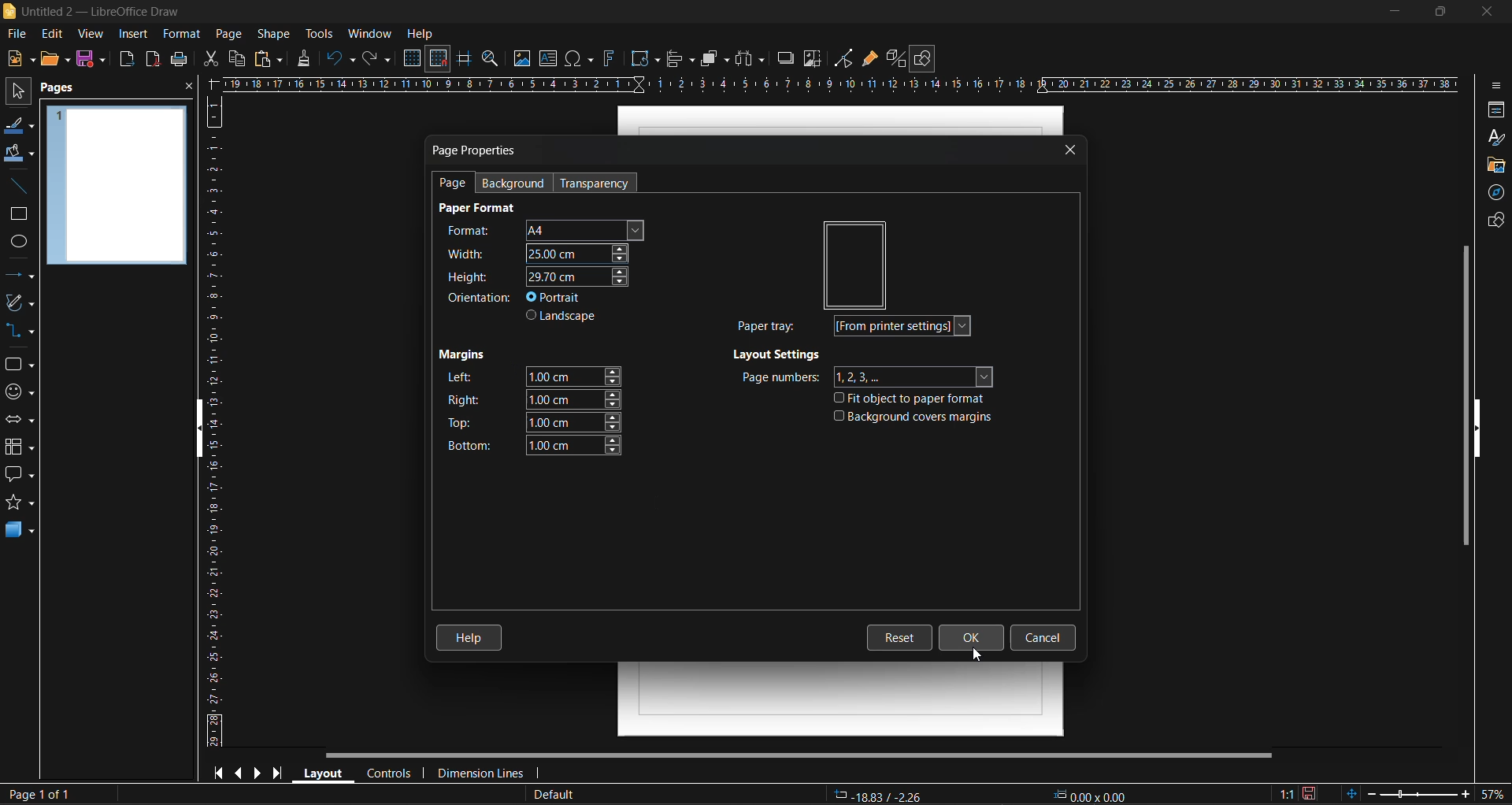  Describe the element at coordinates (465, 57) in the screenshot. I see `helplines` at that location.